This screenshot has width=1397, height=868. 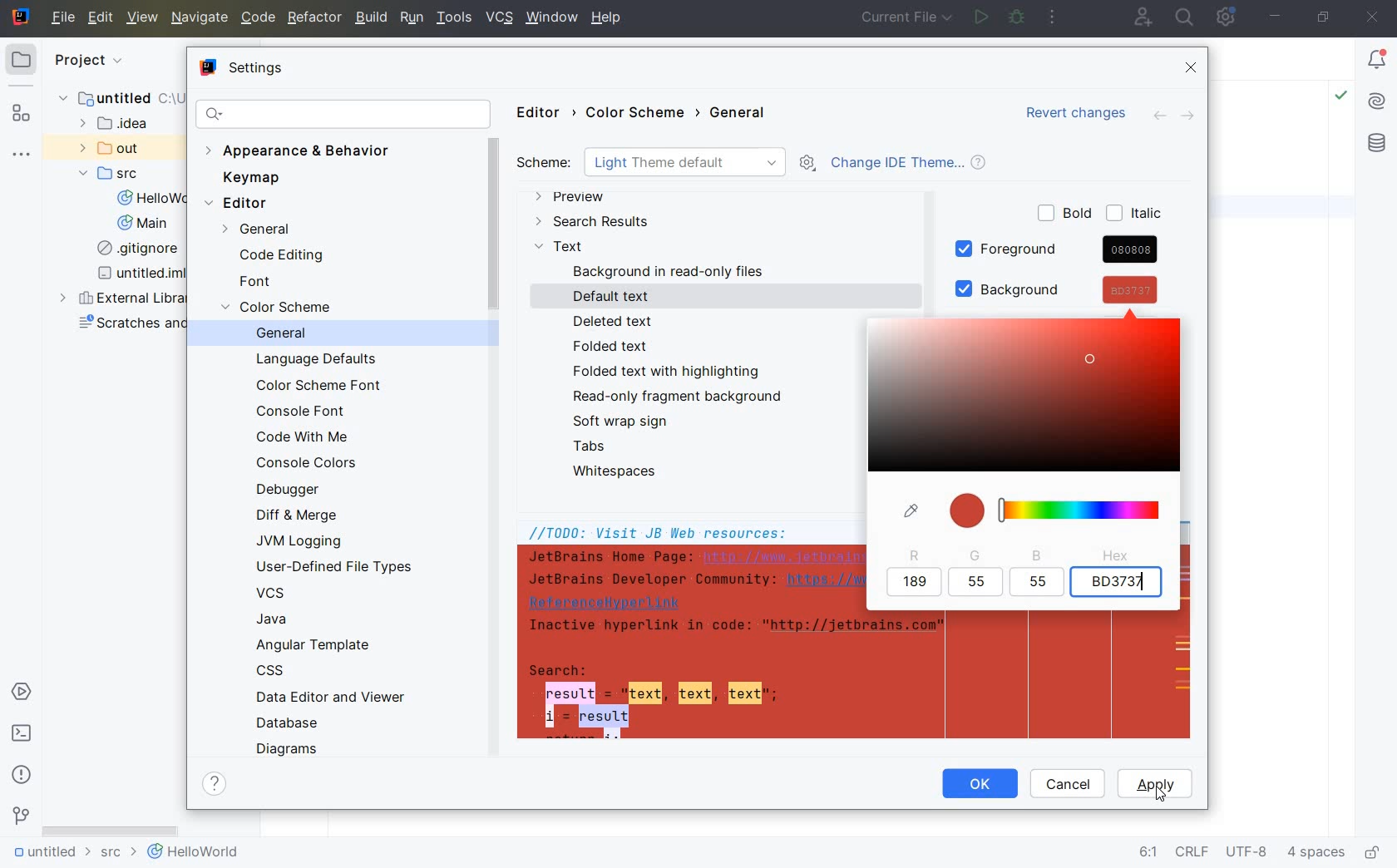 I want to click on search everywhere, so click(x=1184, y=17).